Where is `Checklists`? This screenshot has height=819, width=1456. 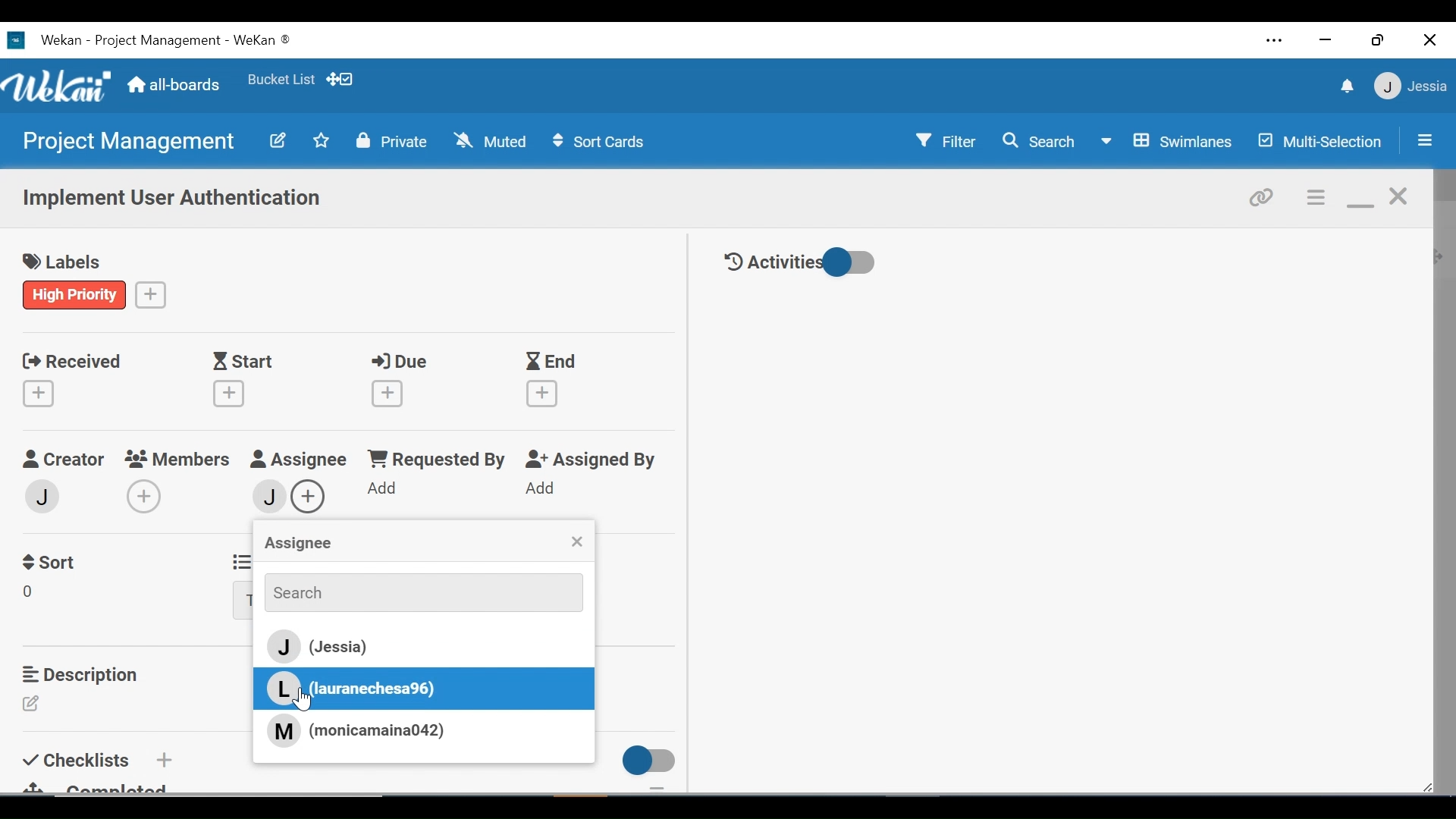 Checklists is located at coordinates (79, 758).